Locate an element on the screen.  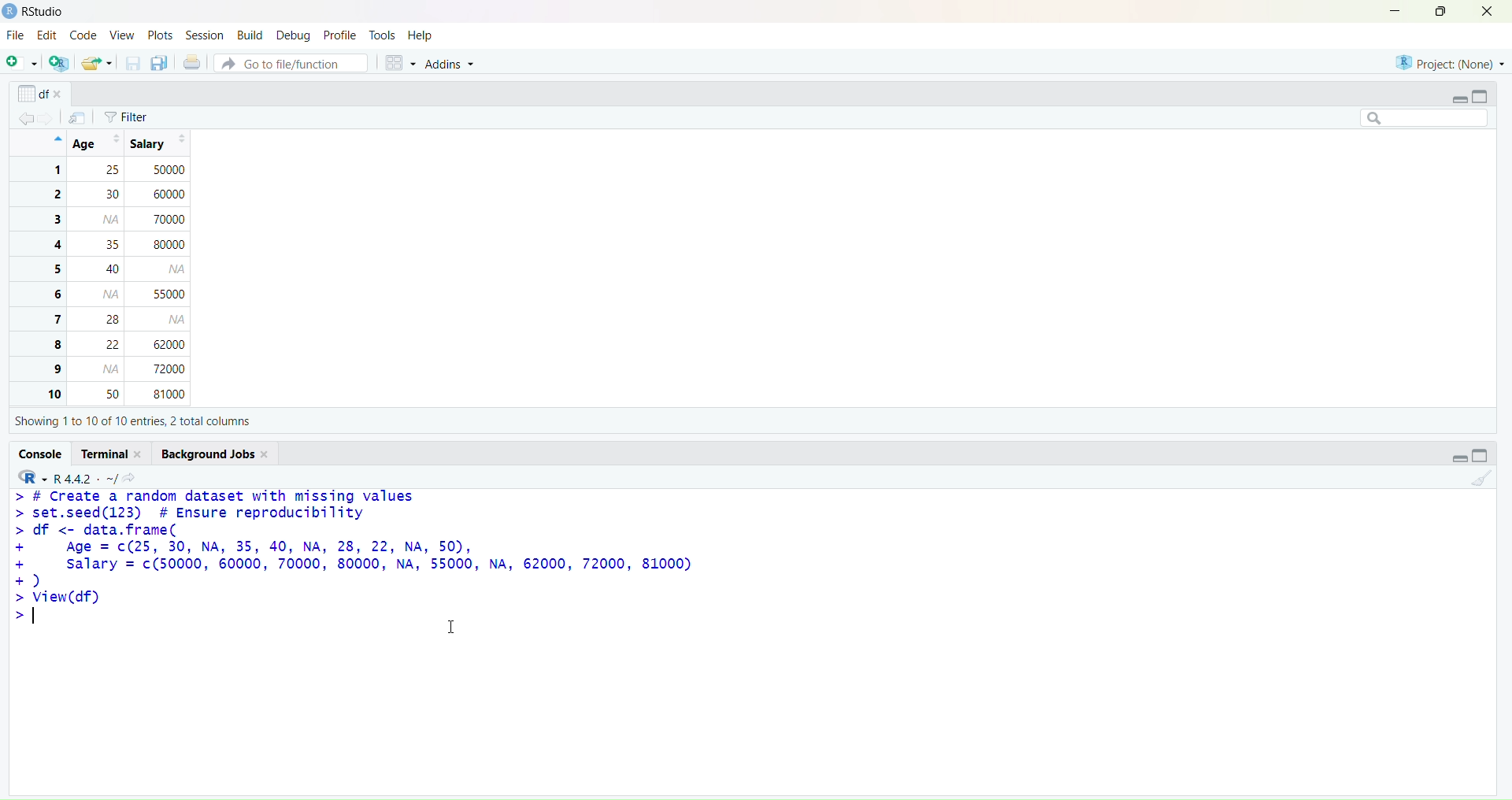
new script is located at coordinates (20, 65).